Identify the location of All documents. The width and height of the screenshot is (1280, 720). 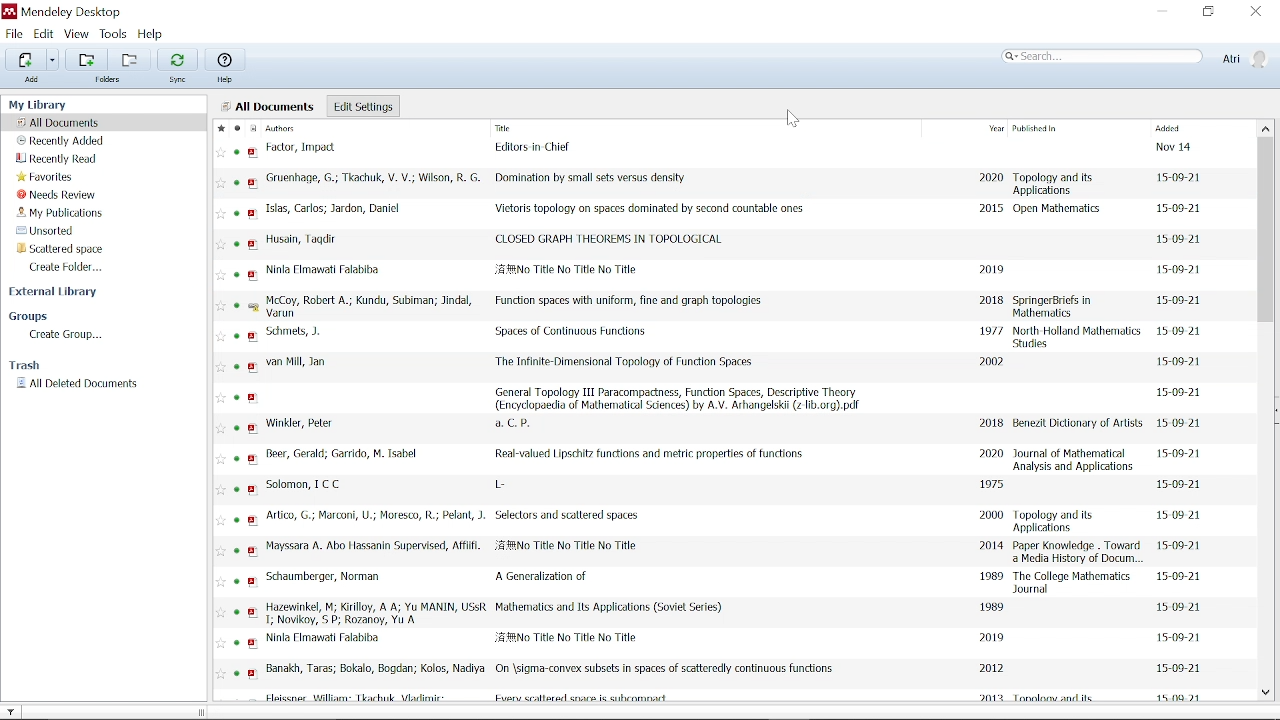
(65, 122).